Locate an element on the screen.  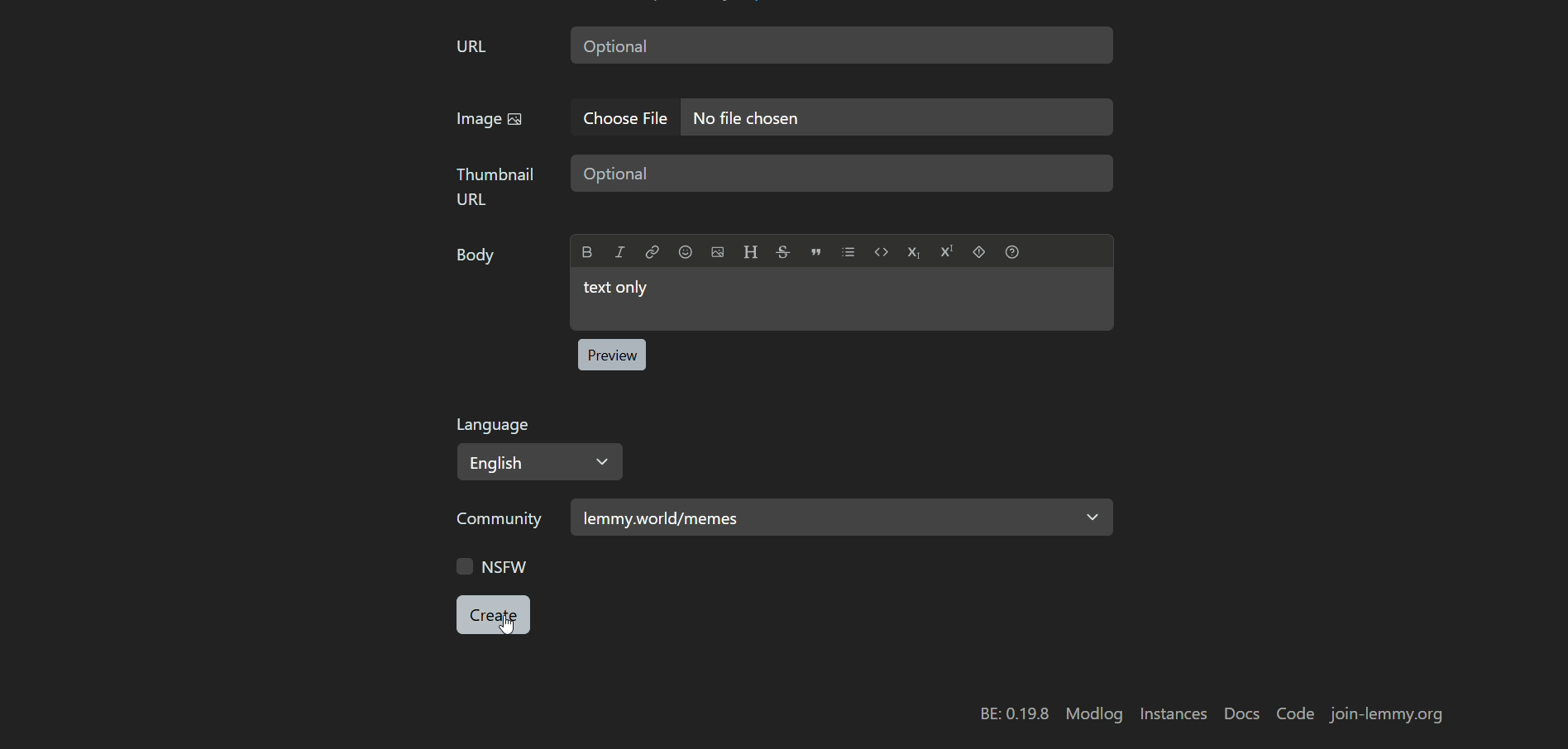
URL is located at coordinates (471, 48).